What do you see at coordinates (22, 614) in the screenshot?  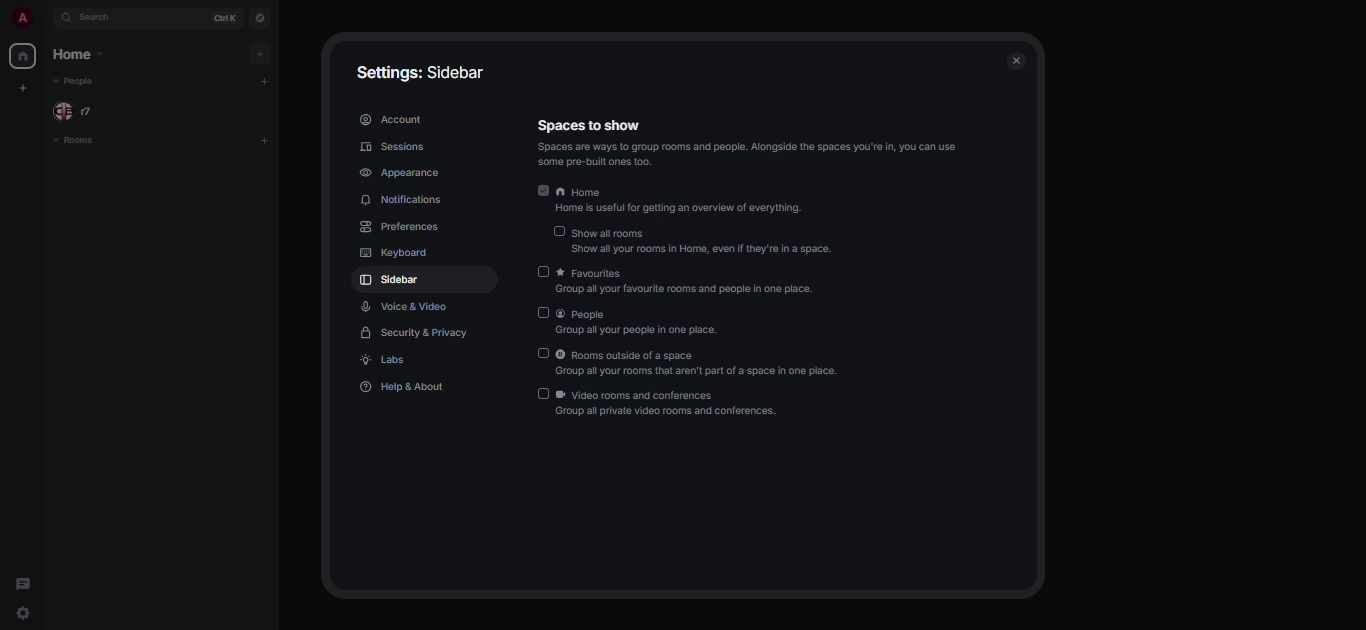 I see `quick settings` at bounding box center [22, 614].